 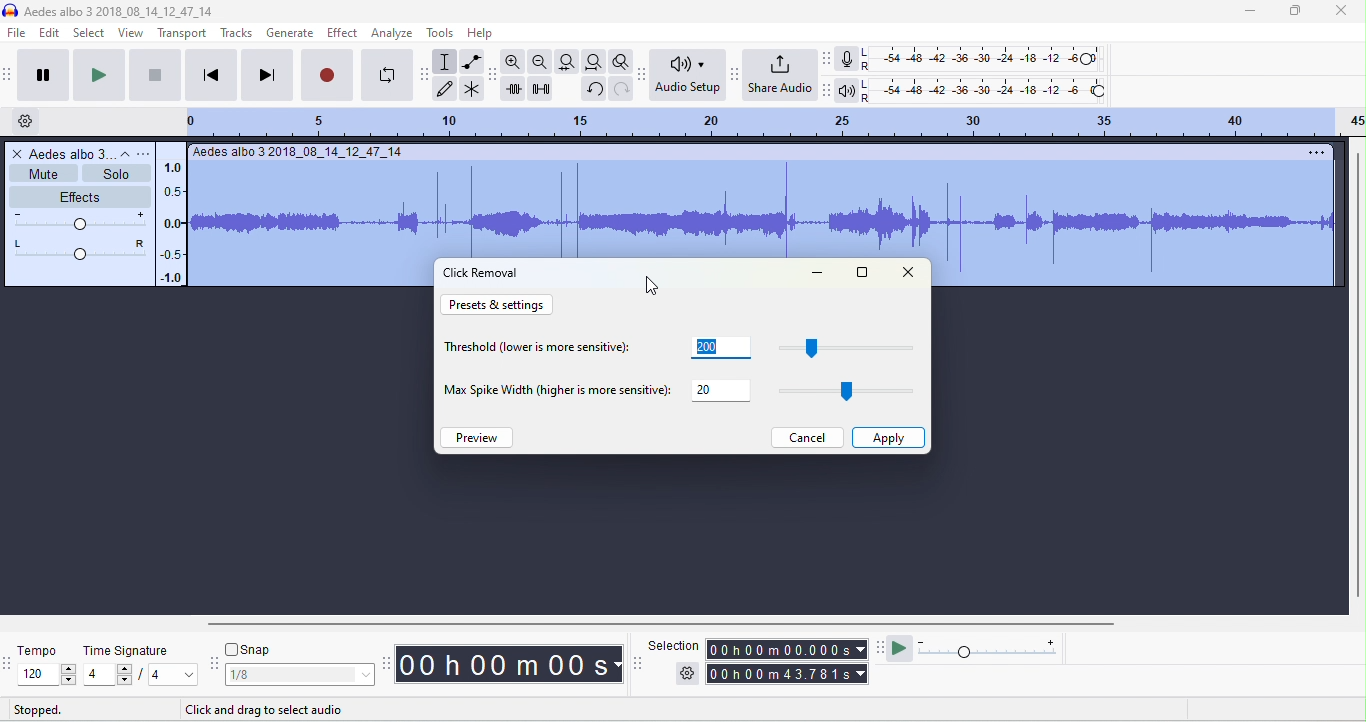 What do you see at coordinates (38, 649) in the screenshot?
I see `tempo` at bounding box center [38, 649].